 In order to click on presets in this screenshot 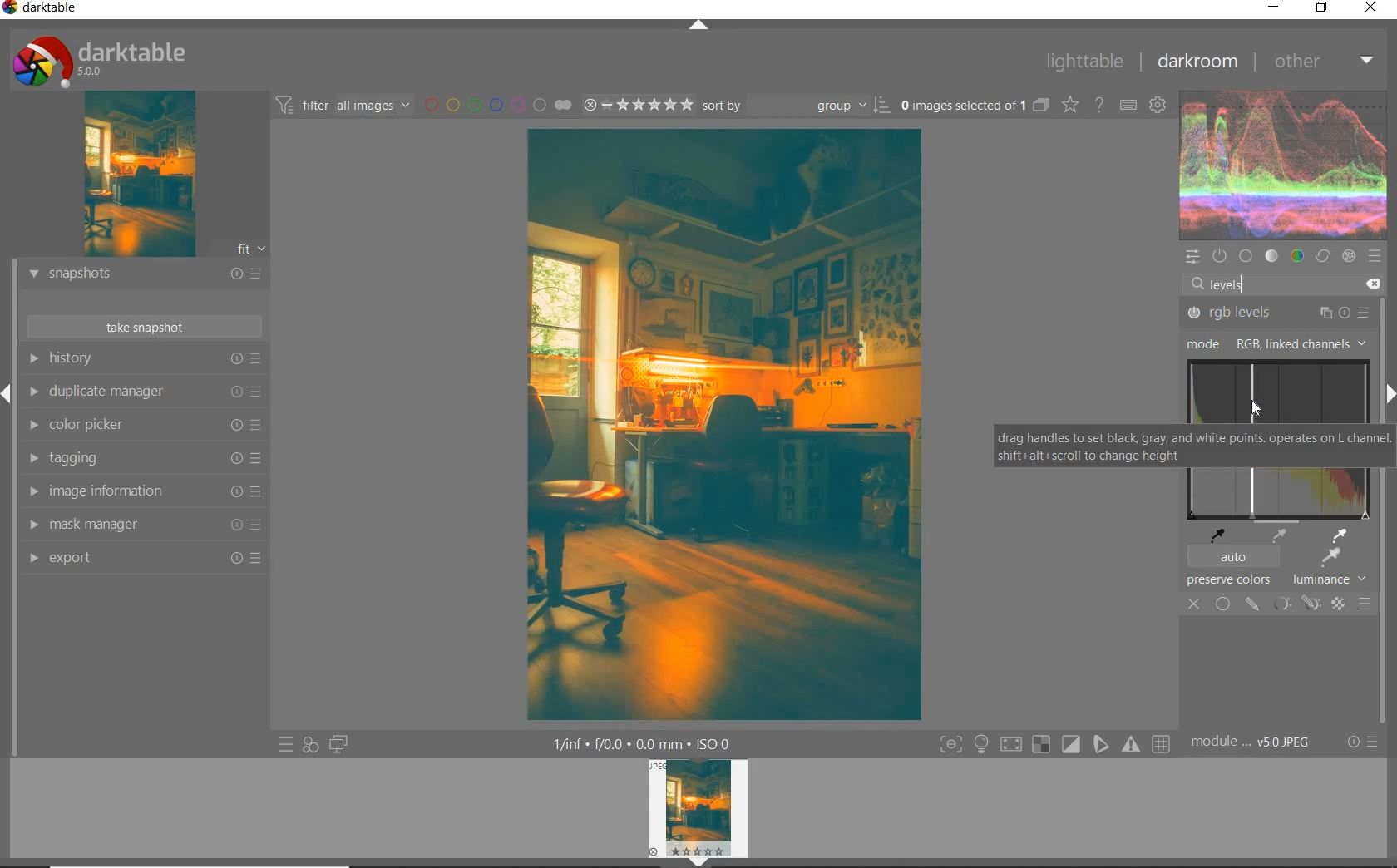, I will do `click(1378, 256)`.